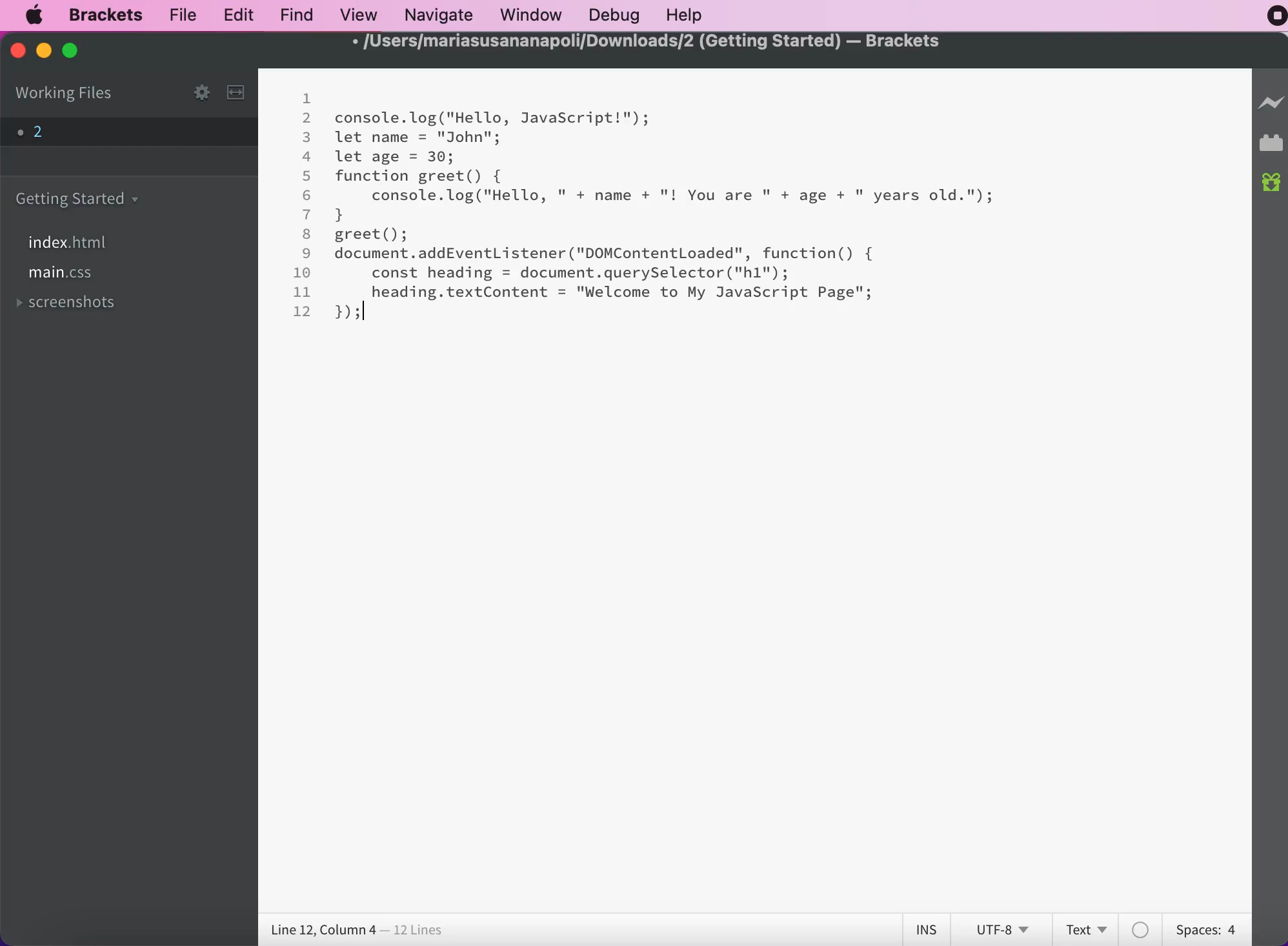 This screenshot has height=946, width=1288. What do you see at coordinates (72, 241) in the screenshot?
I see `index.html` at bounding box center [72, 241].